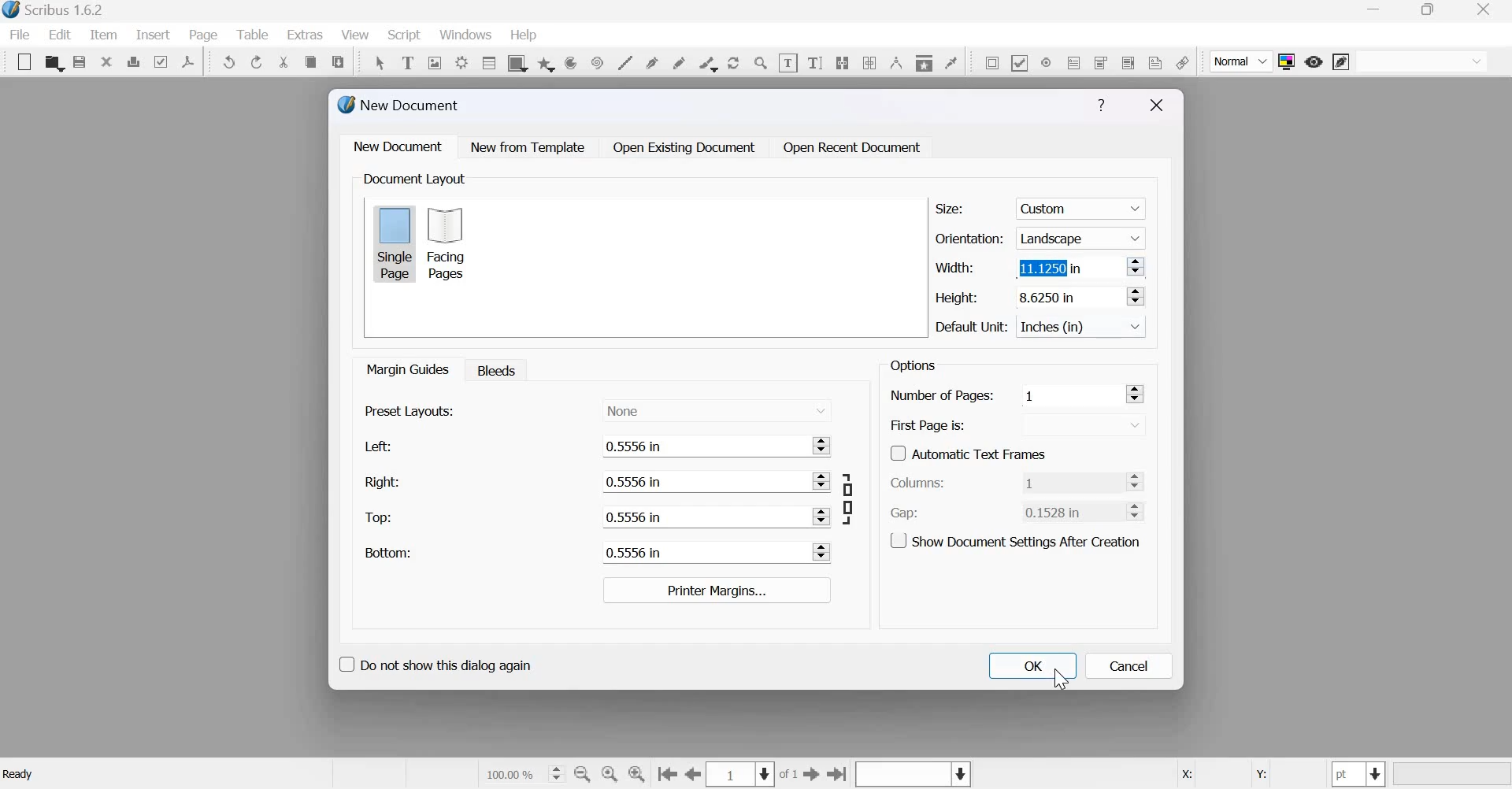  What do you see at coordinates (928, 424) in the screenshot?
I see `First Page is:` at bounding box center [928, 424].